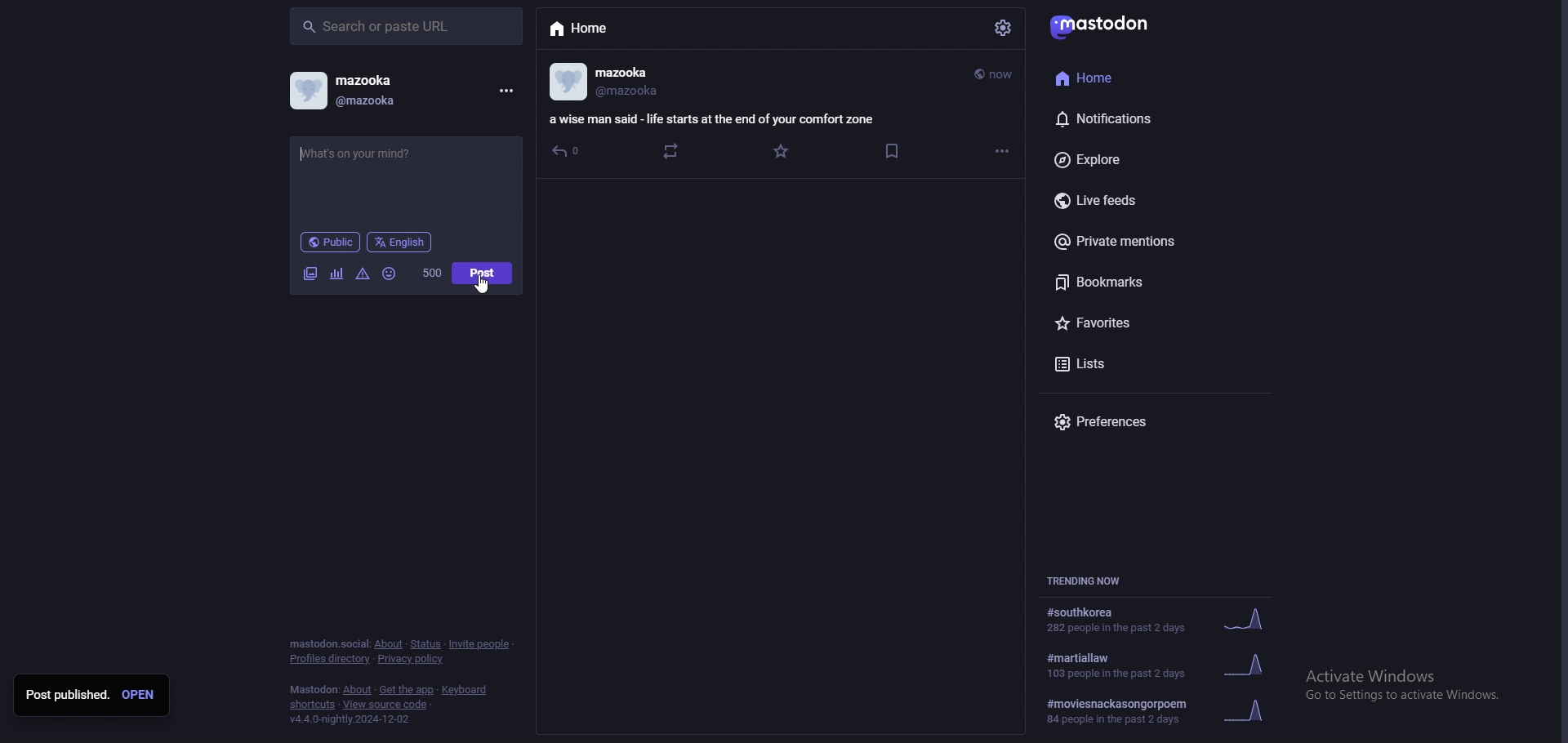 The height and width of the screenshot is (743, 1568). I want to click on private mentions, so click(1140, 243).